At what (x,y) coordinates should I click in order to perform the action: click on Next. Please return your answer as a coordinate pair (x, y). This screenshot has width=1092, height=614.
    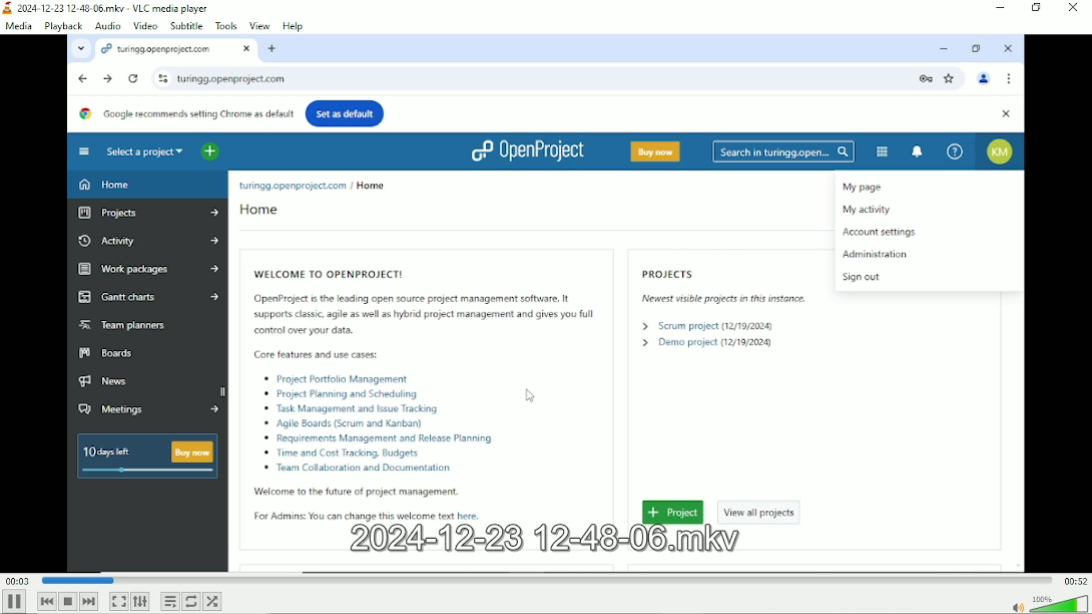
    Looking at the image, I should click on (90, 601).